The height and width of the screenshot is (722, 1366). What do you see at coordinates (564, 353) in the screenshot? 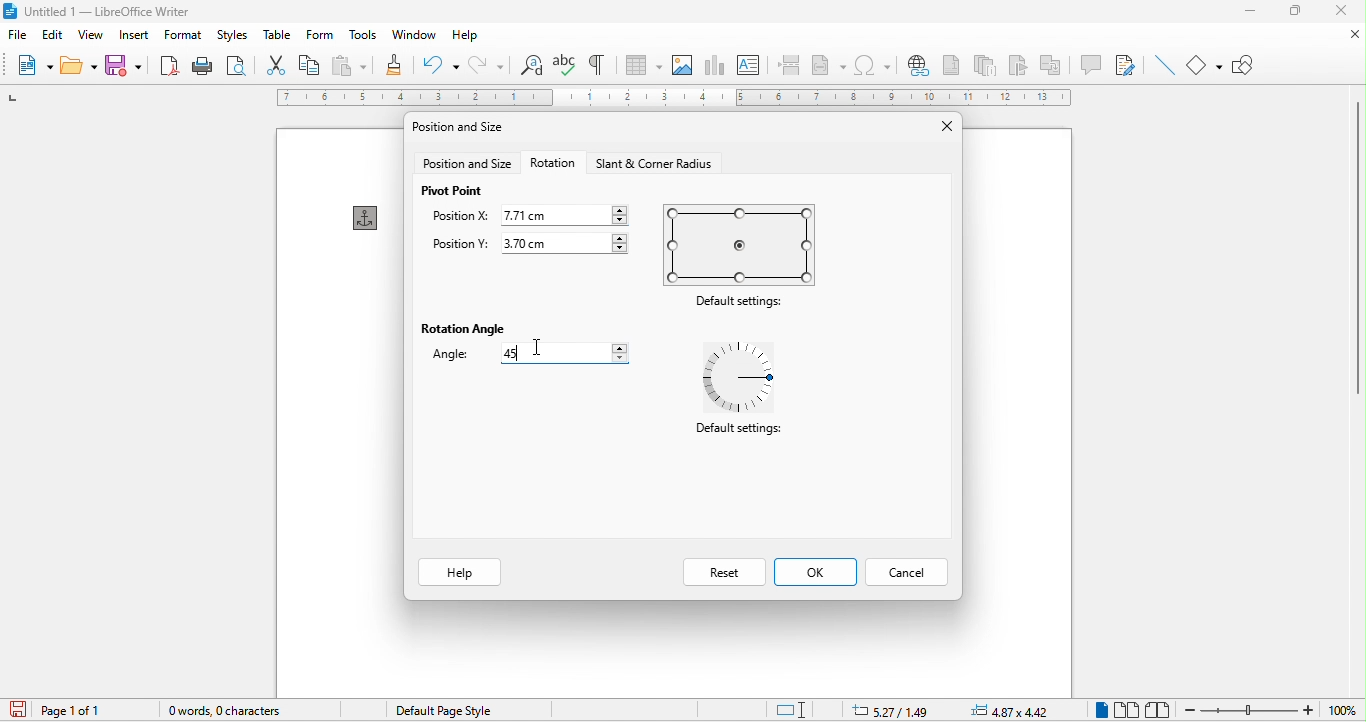
I see `45` at bounding box center [564, 353].